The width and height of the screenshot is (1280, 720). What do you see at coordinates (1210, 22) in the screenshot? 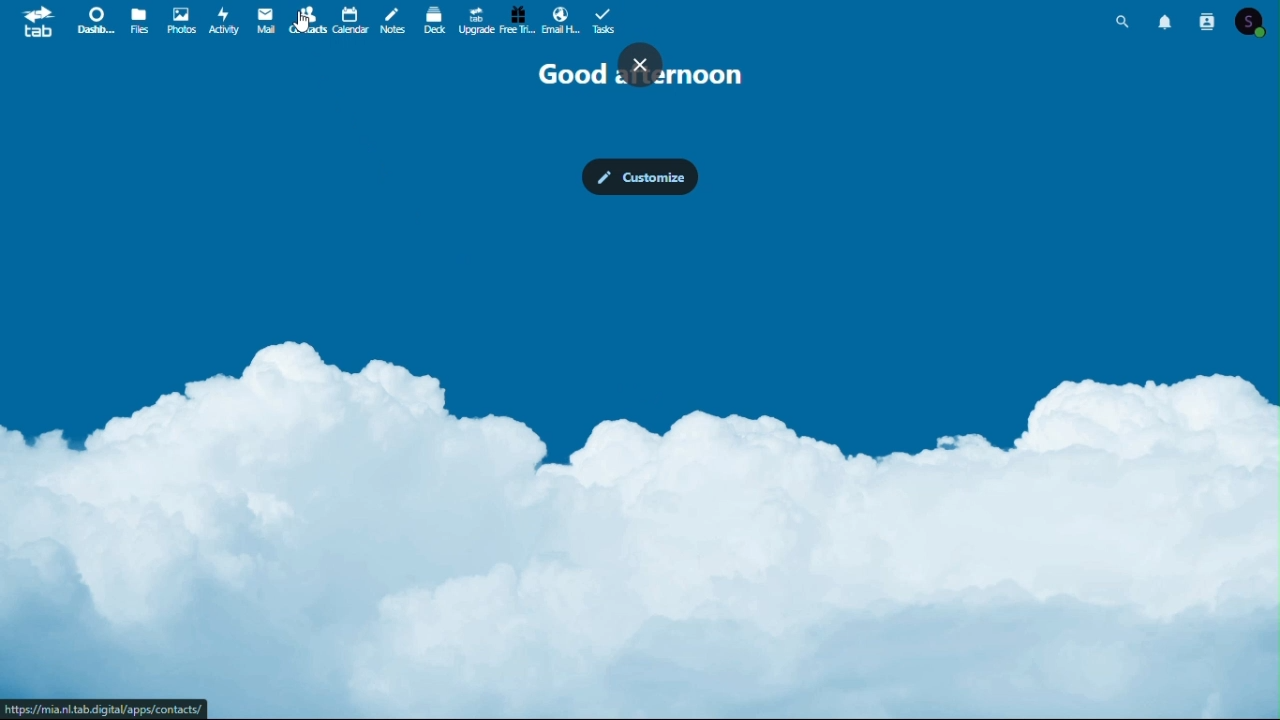
I see `Contacts` at bounding box center [1210, 22].